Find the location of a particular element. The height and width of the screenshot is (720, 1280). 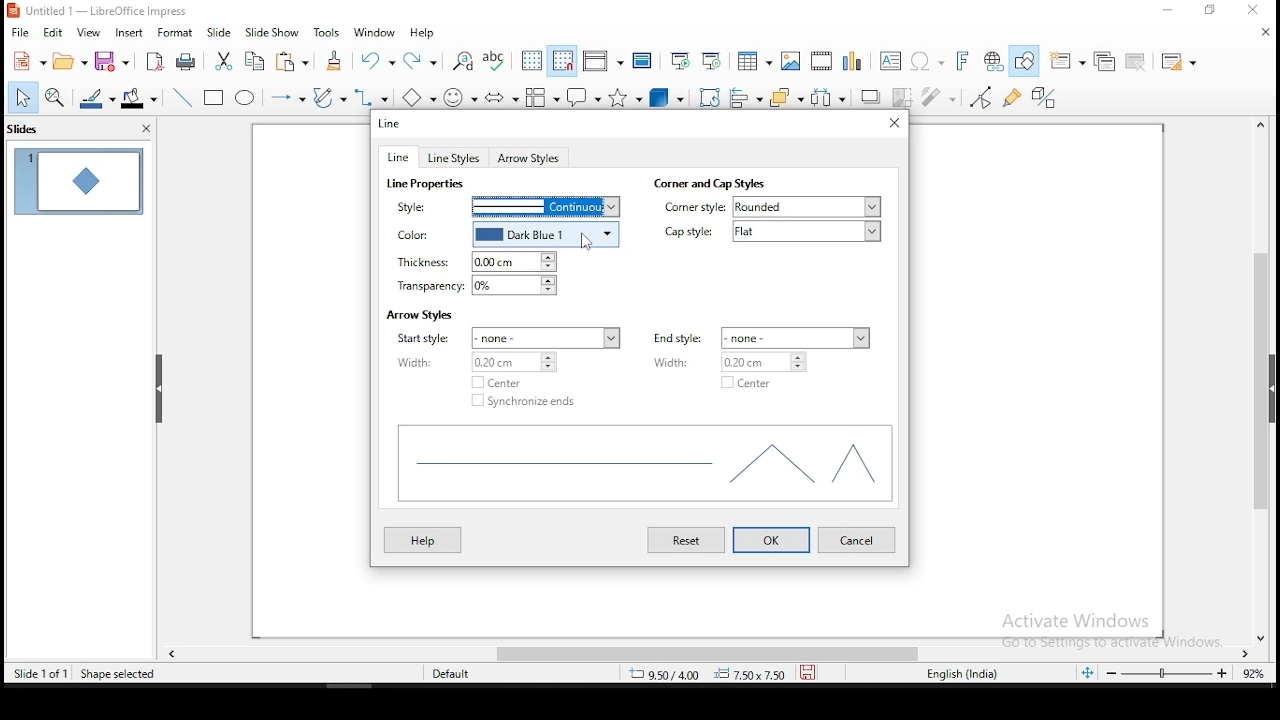

corner and cap styles is located at coordinates (708, 183).